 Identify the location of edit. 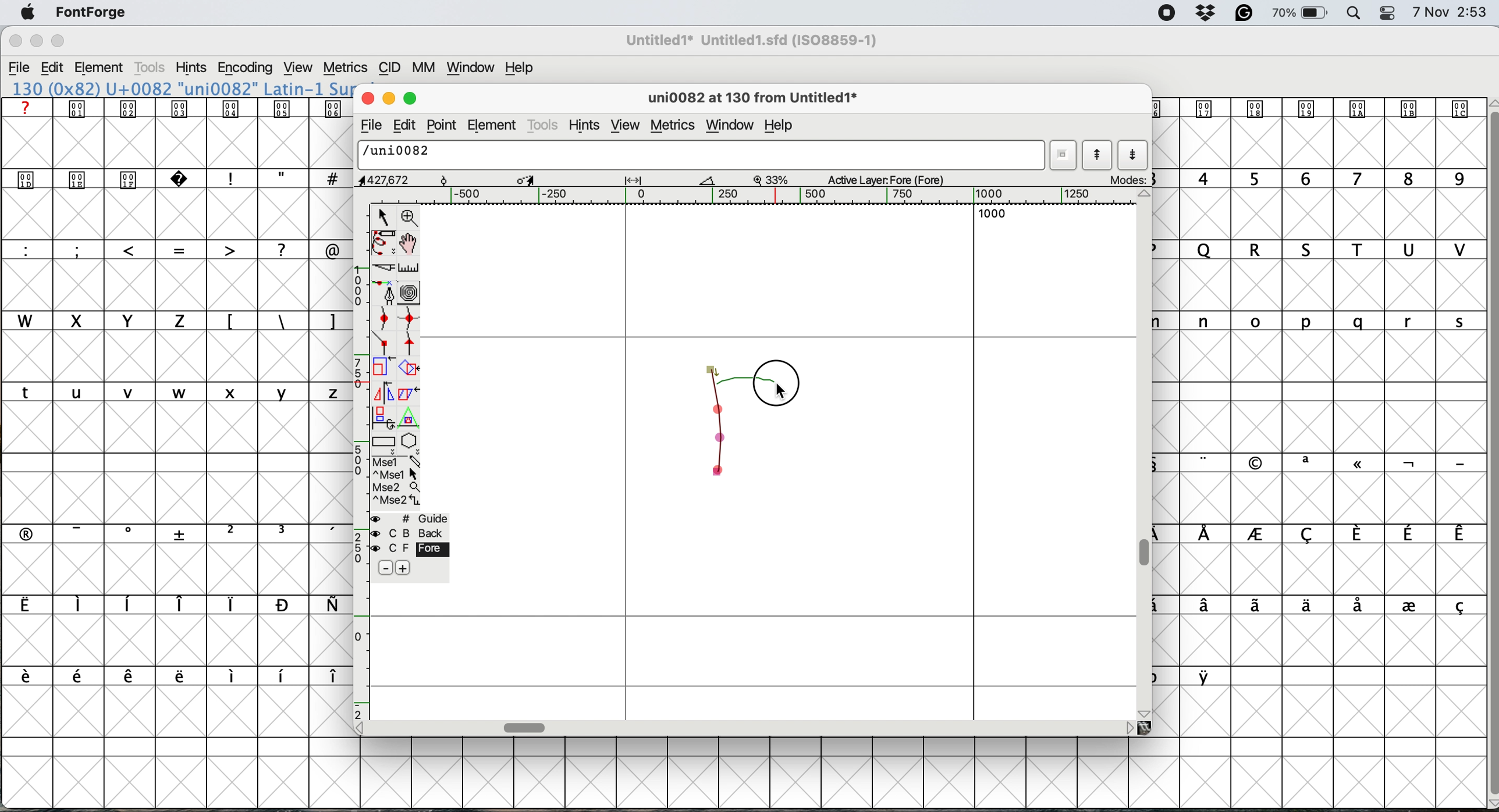
(407, 125).